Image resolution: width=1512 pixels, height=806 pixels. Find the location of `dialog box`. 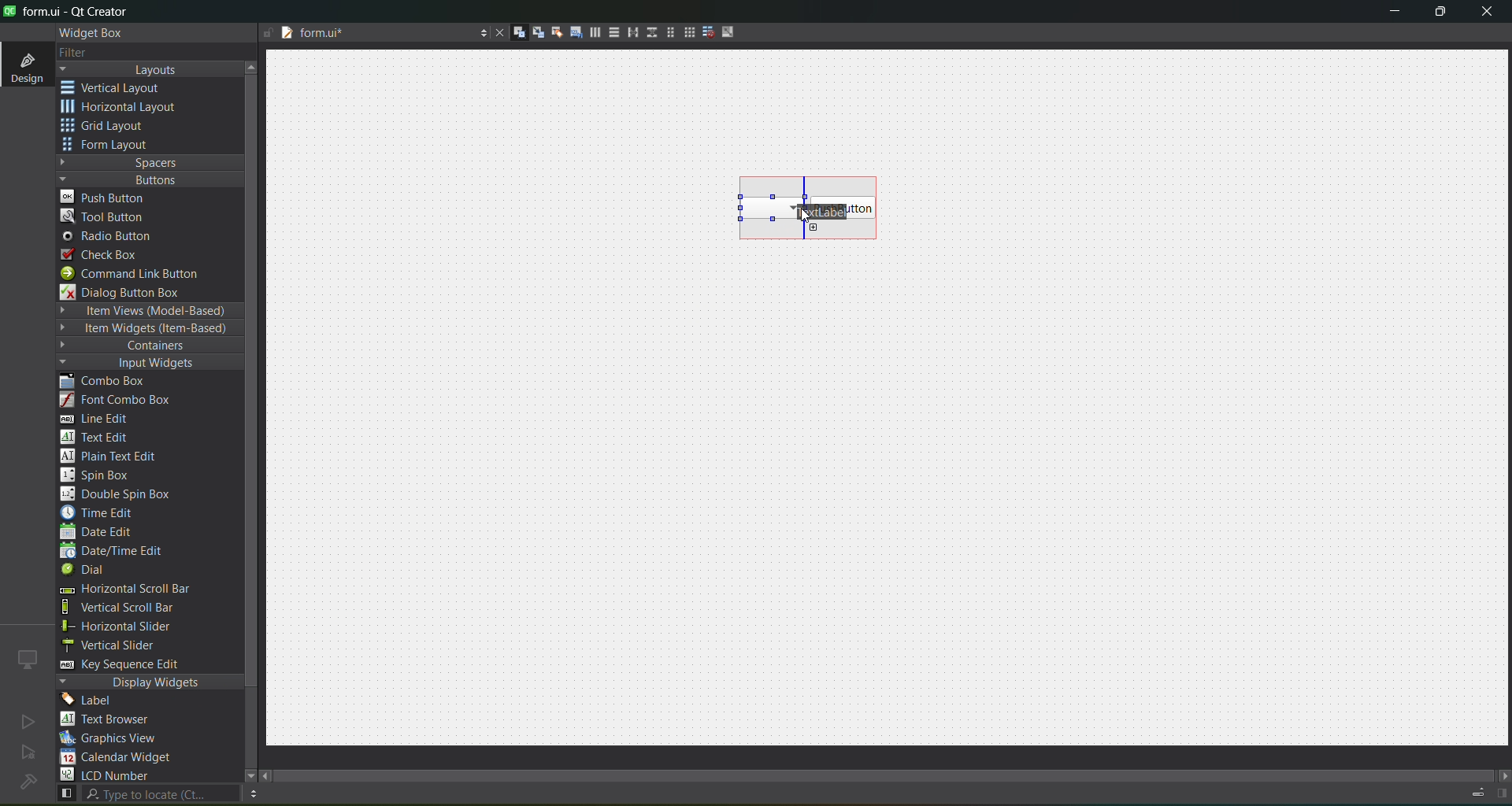

dialog box is located at coordinates (132, 292).